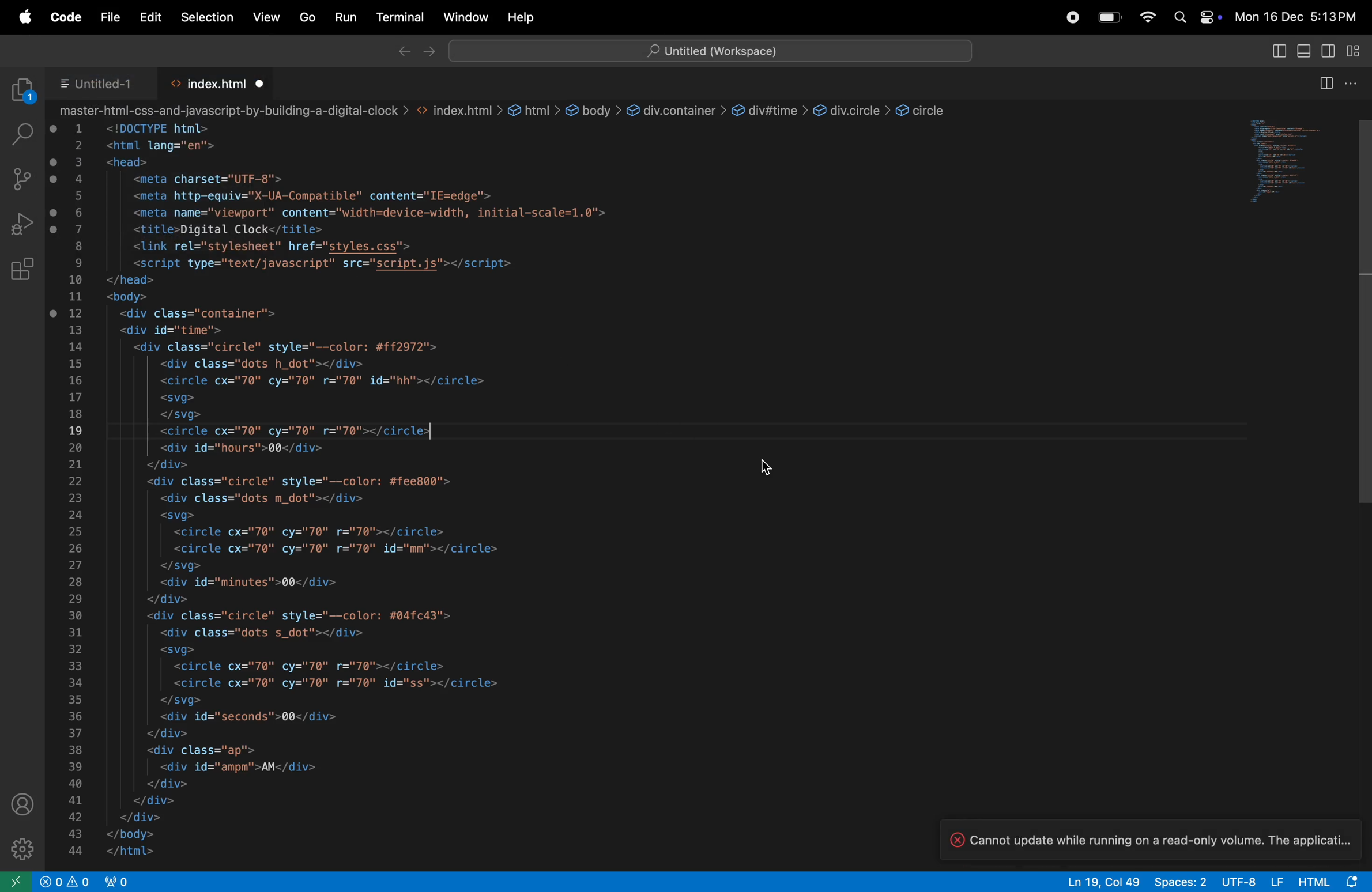  Describe the element at coordinates (1302, 52) in the screenshot. I see `toggle secondary side bar` at that location.